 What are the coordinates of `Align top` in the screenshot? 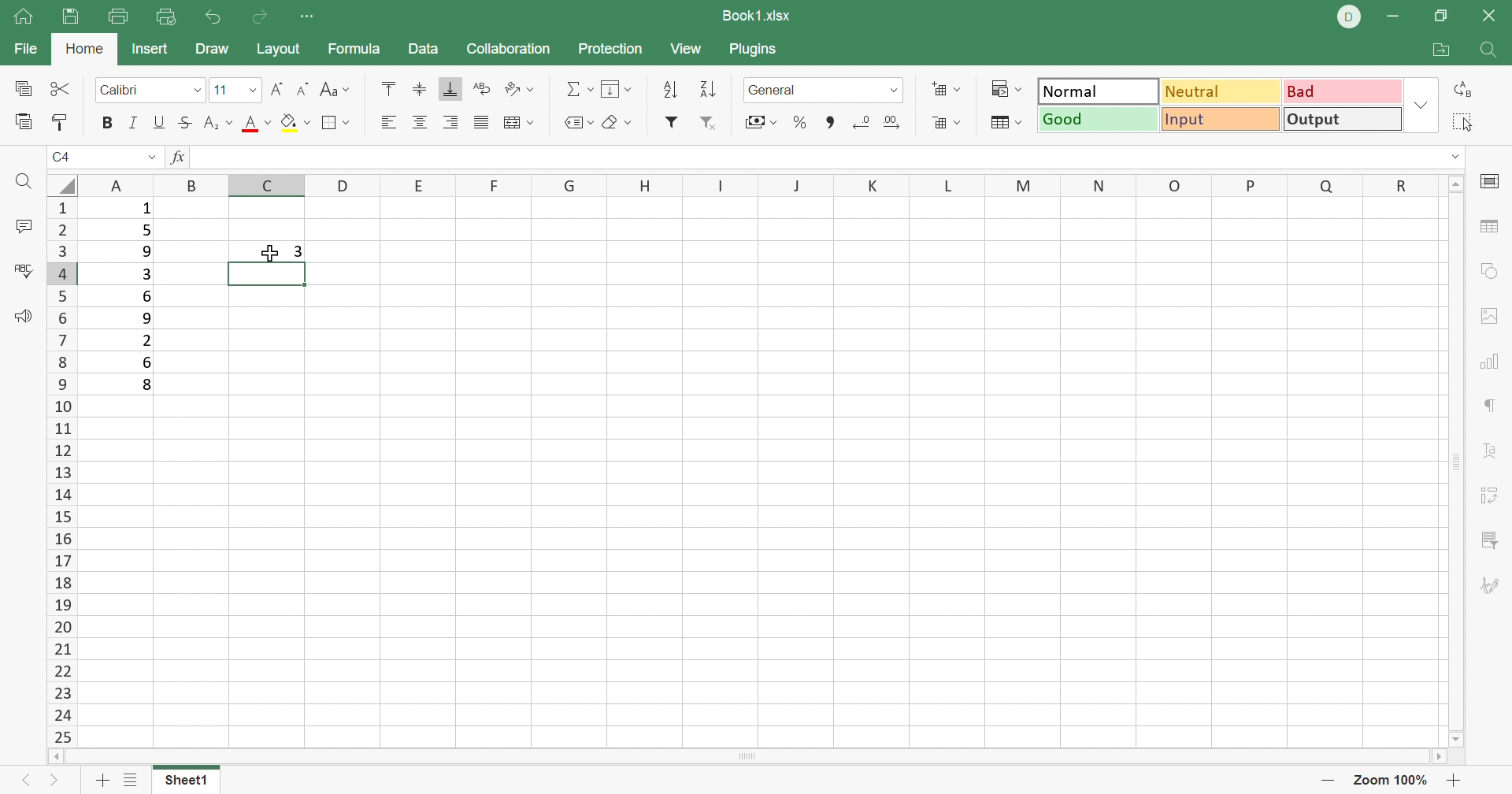 It's located at (255, 124).